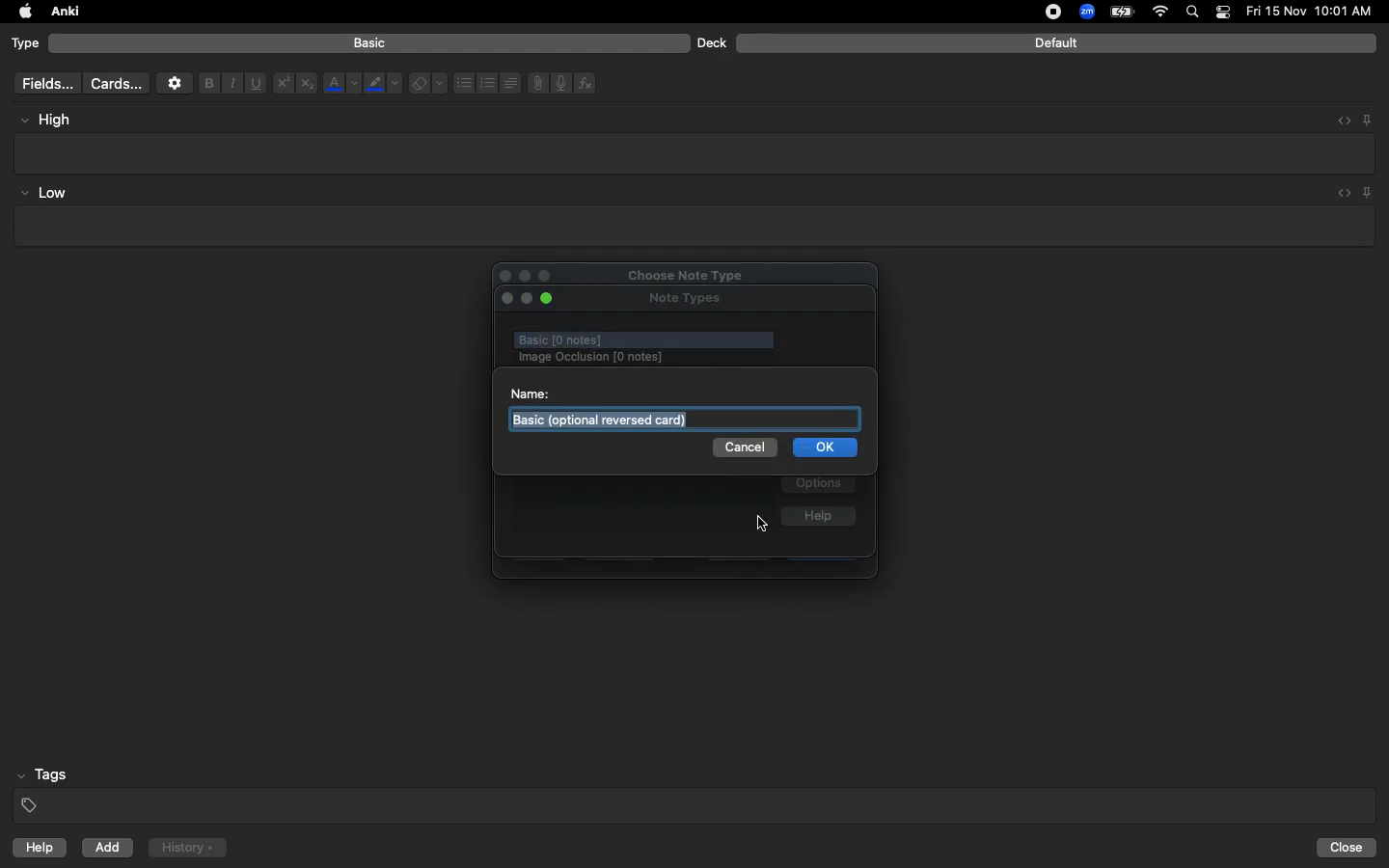 The image size is (1389, 868). Describe the element at coordinates (1195, 13) in the screenshot. I see `Search` at that location.